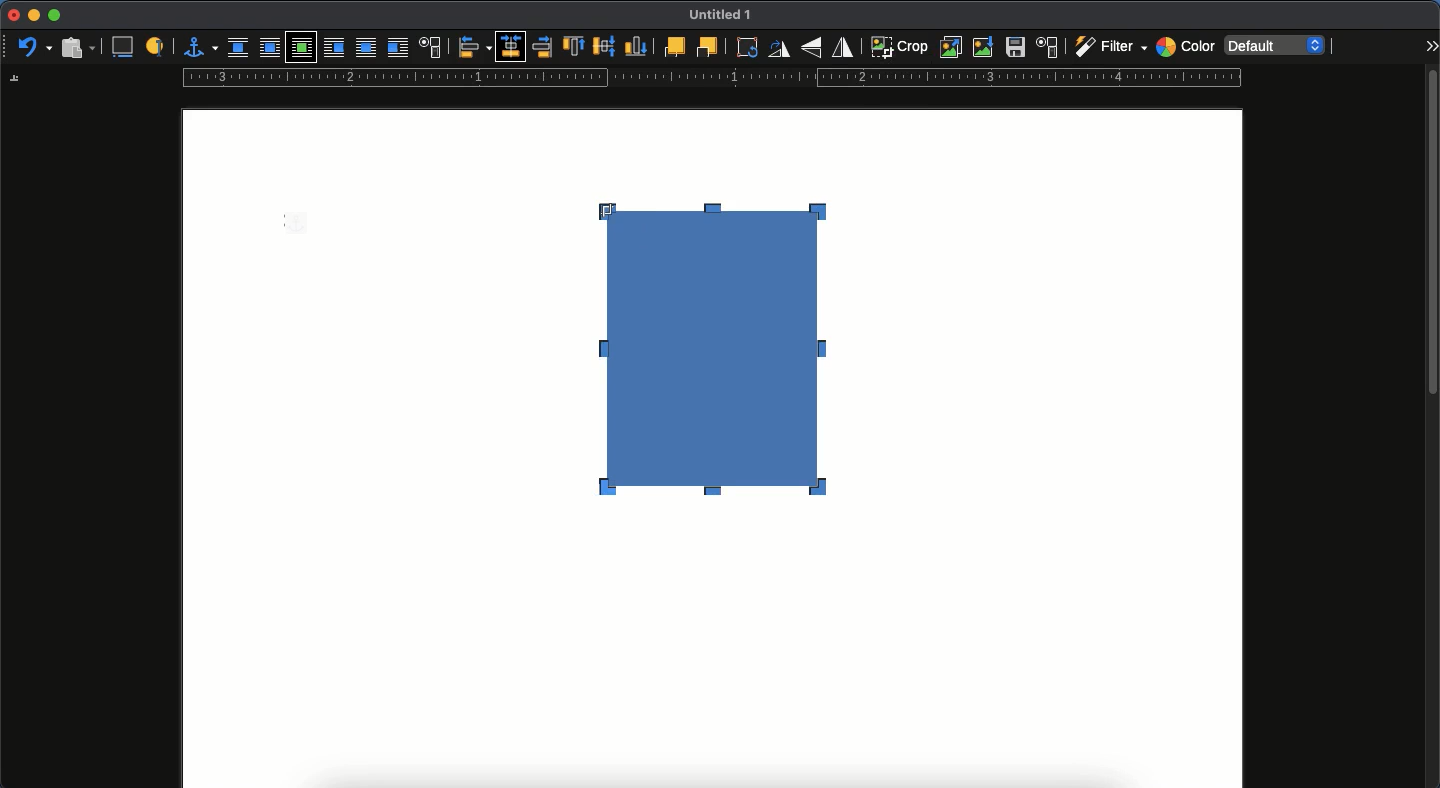 Image resolution: width=1440 pixels, height=788 pixels. I want to click on compress, so click(984, 47).